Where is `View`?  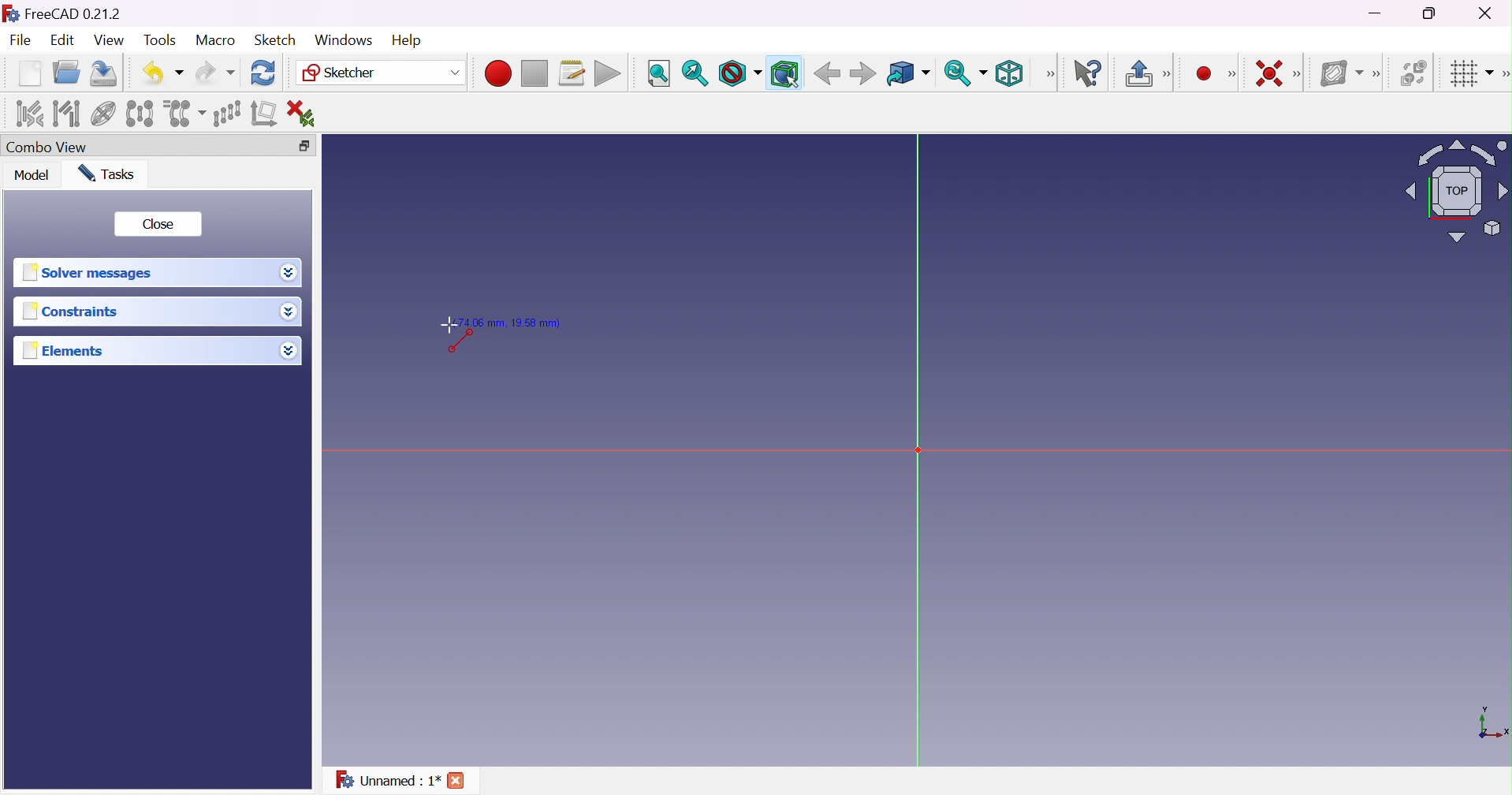 View is located at coordinates (109, 40).